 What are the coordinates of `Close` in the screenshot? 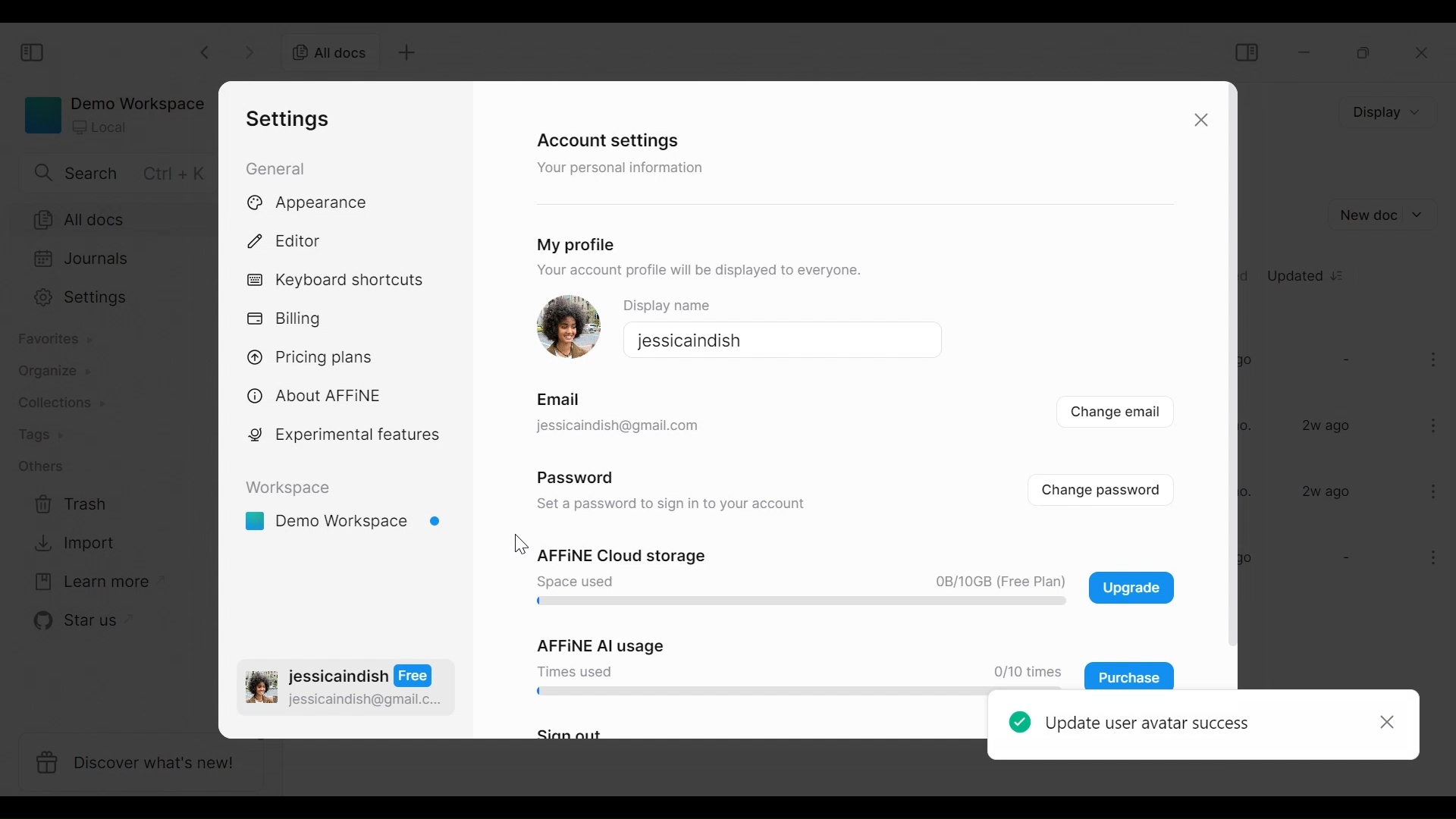 It's located at (1423, 55).